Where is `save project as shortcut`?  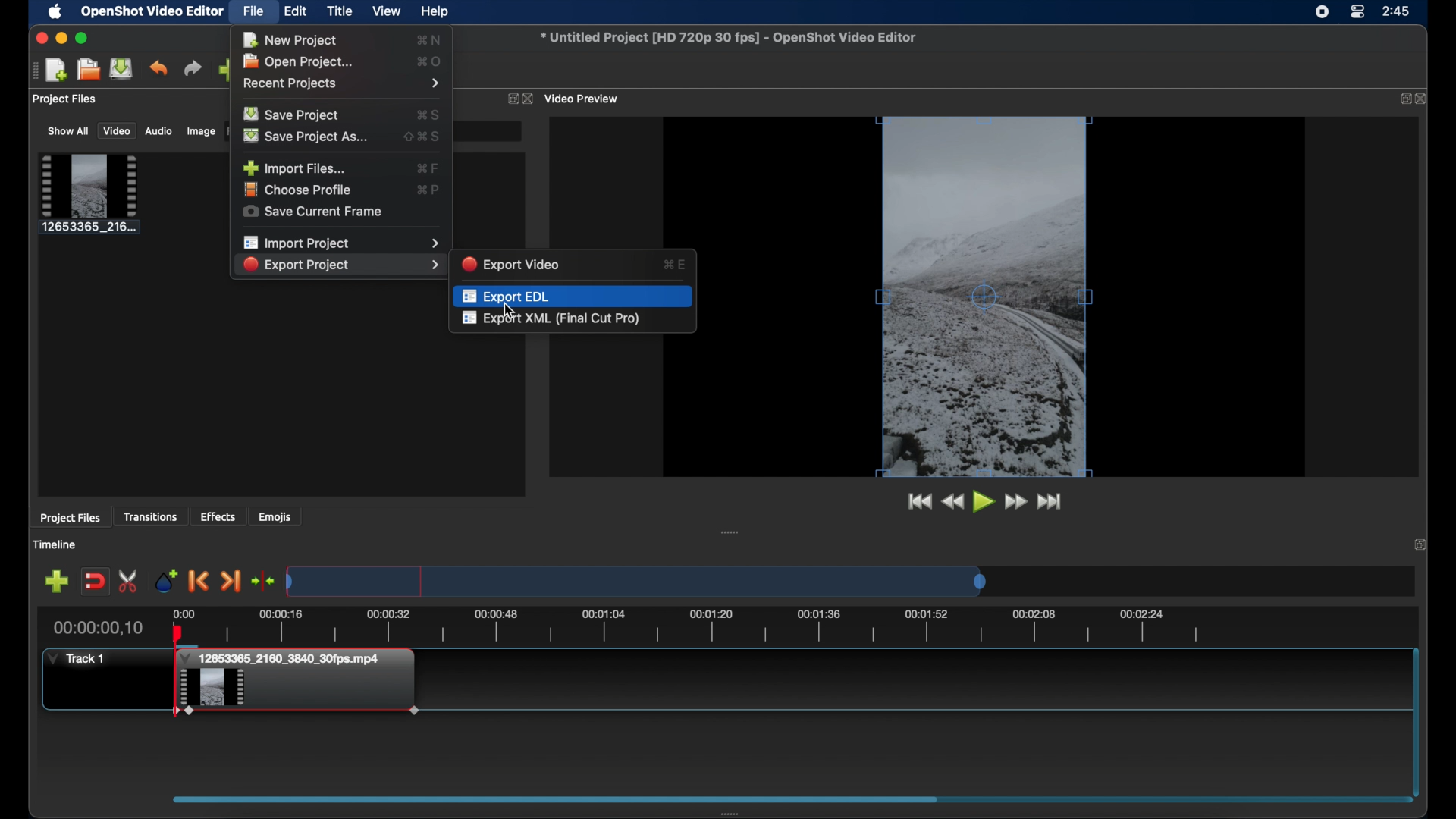 save project as shortcut is located at coordinates (423, 136).